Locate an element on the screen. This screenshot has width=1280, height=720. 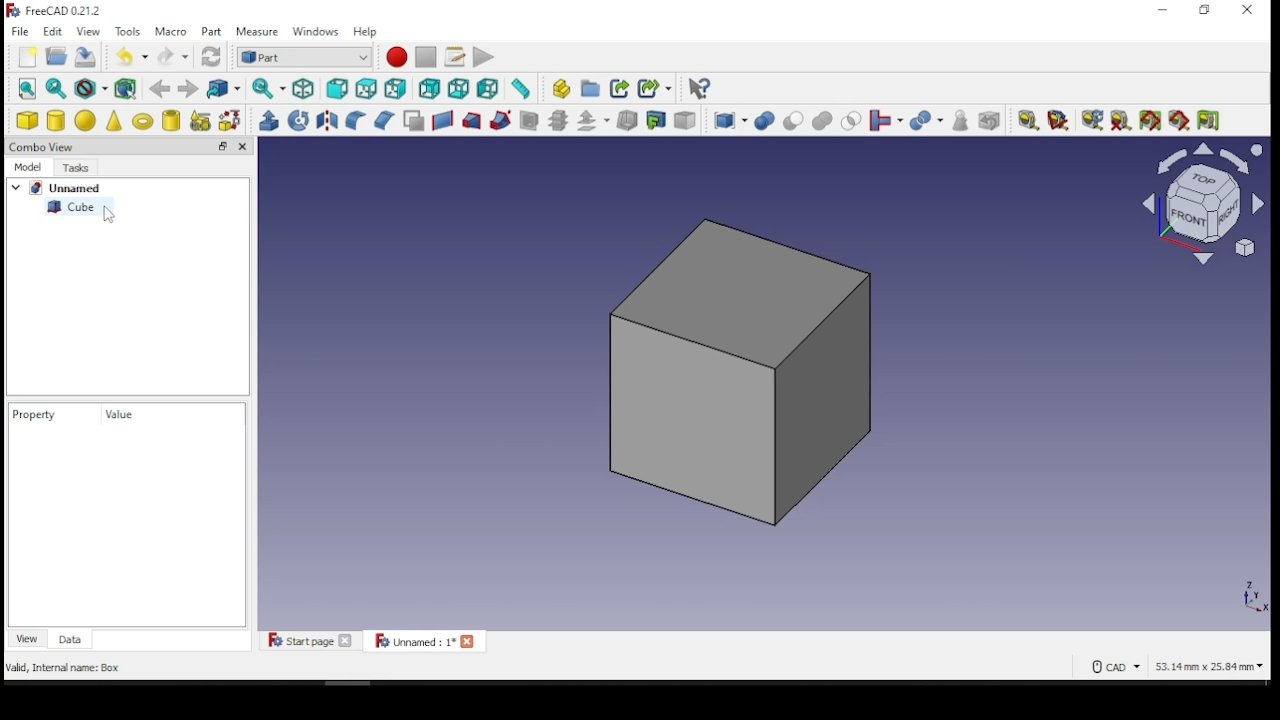
make link is located at coordinates (621, 90).